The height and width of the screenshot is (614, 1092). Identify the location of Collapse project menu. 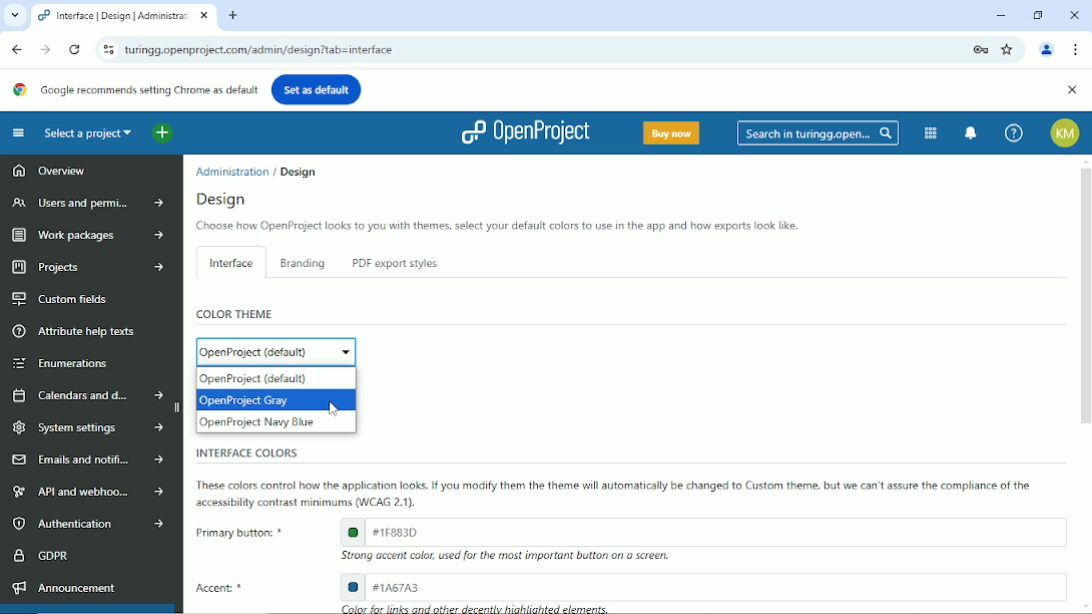
(18, 133).